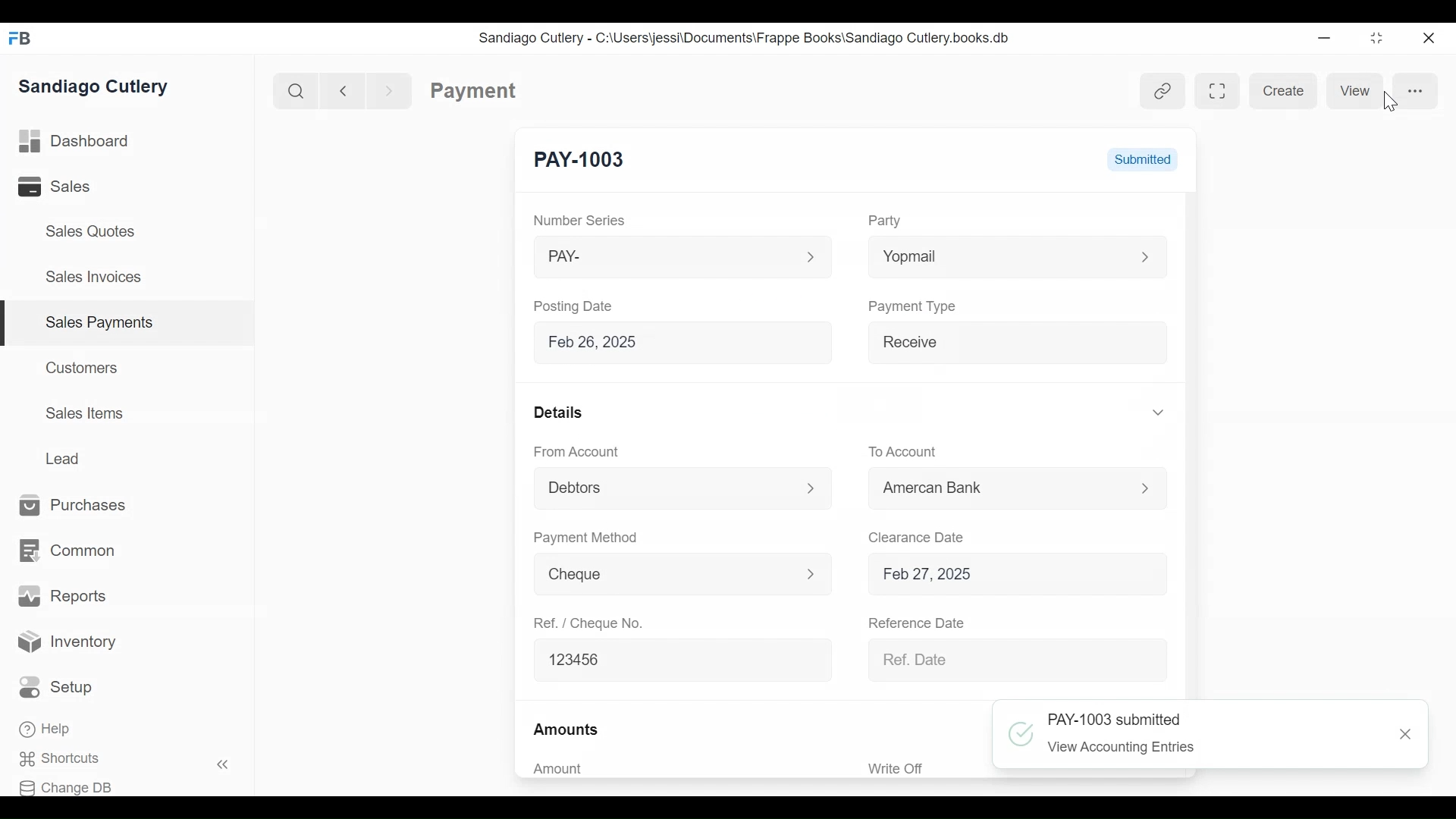  What do you see at coordinates (1388, 103) in the screenshot?
I see `Cursor` at bounding box center [1388, 103].